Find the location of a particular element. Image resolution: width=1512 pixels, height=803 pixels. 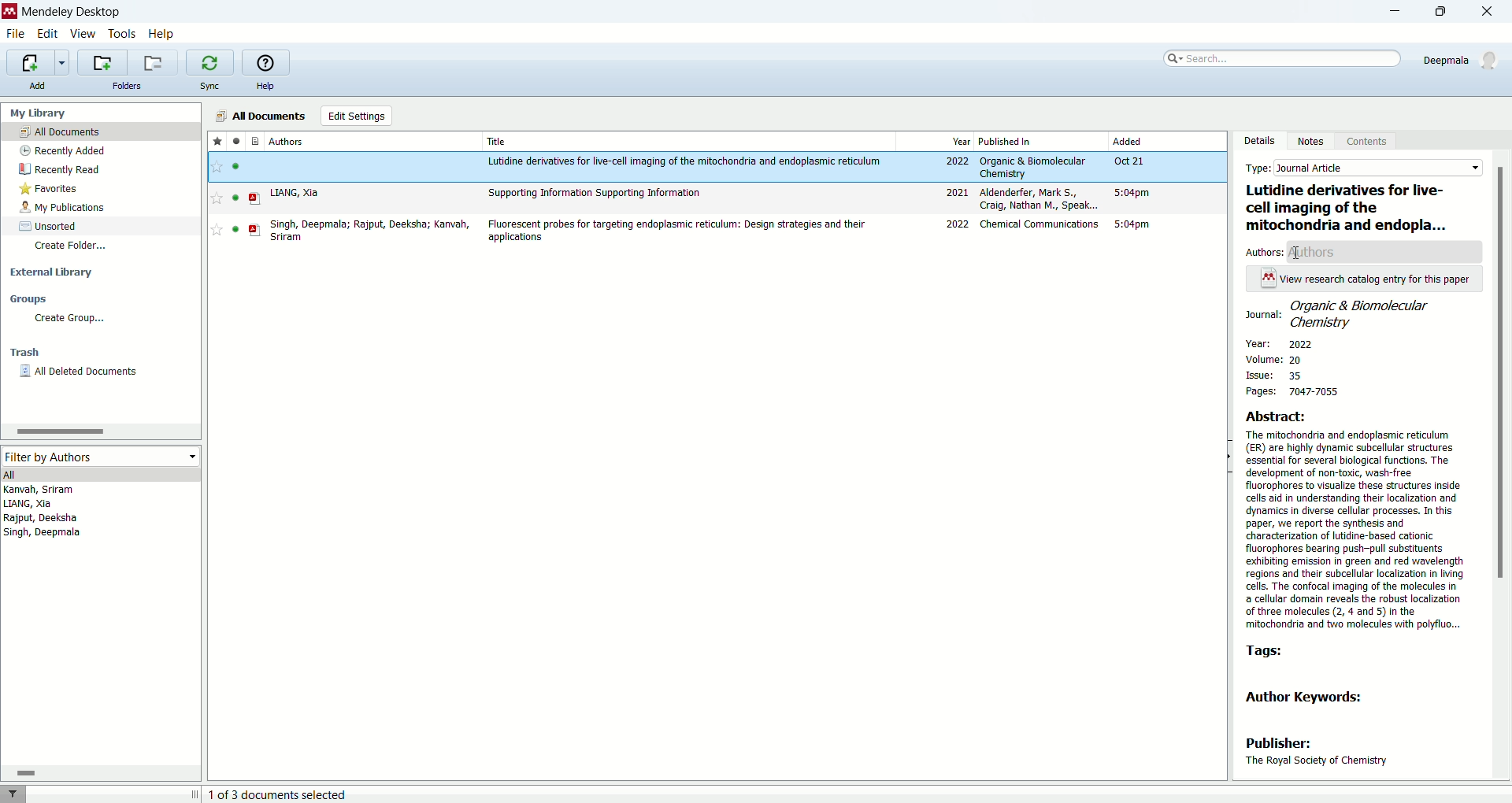

issue: 35 is located at coordinates (1275, 376).